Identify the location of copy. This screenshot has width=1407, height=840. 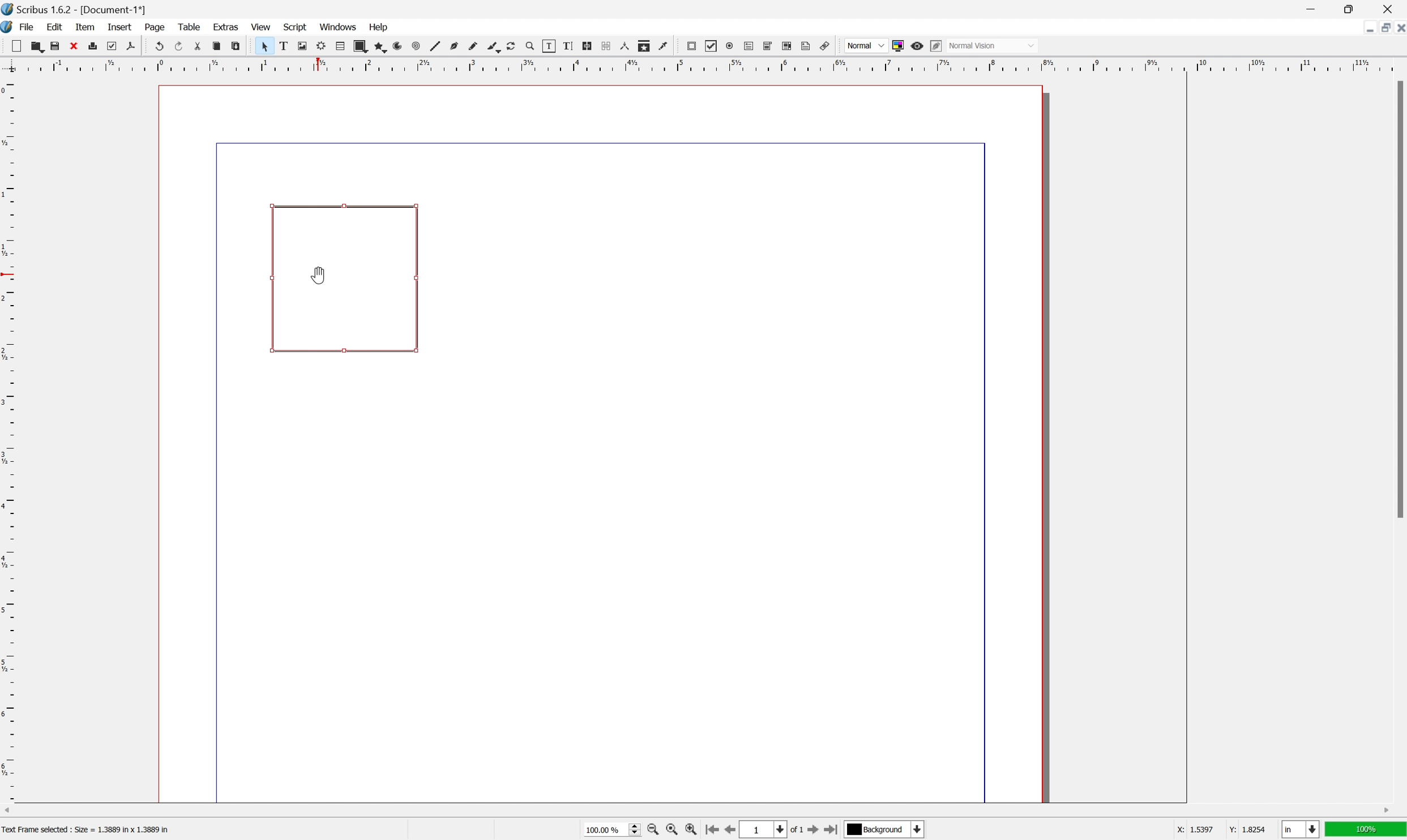
(216, 47).